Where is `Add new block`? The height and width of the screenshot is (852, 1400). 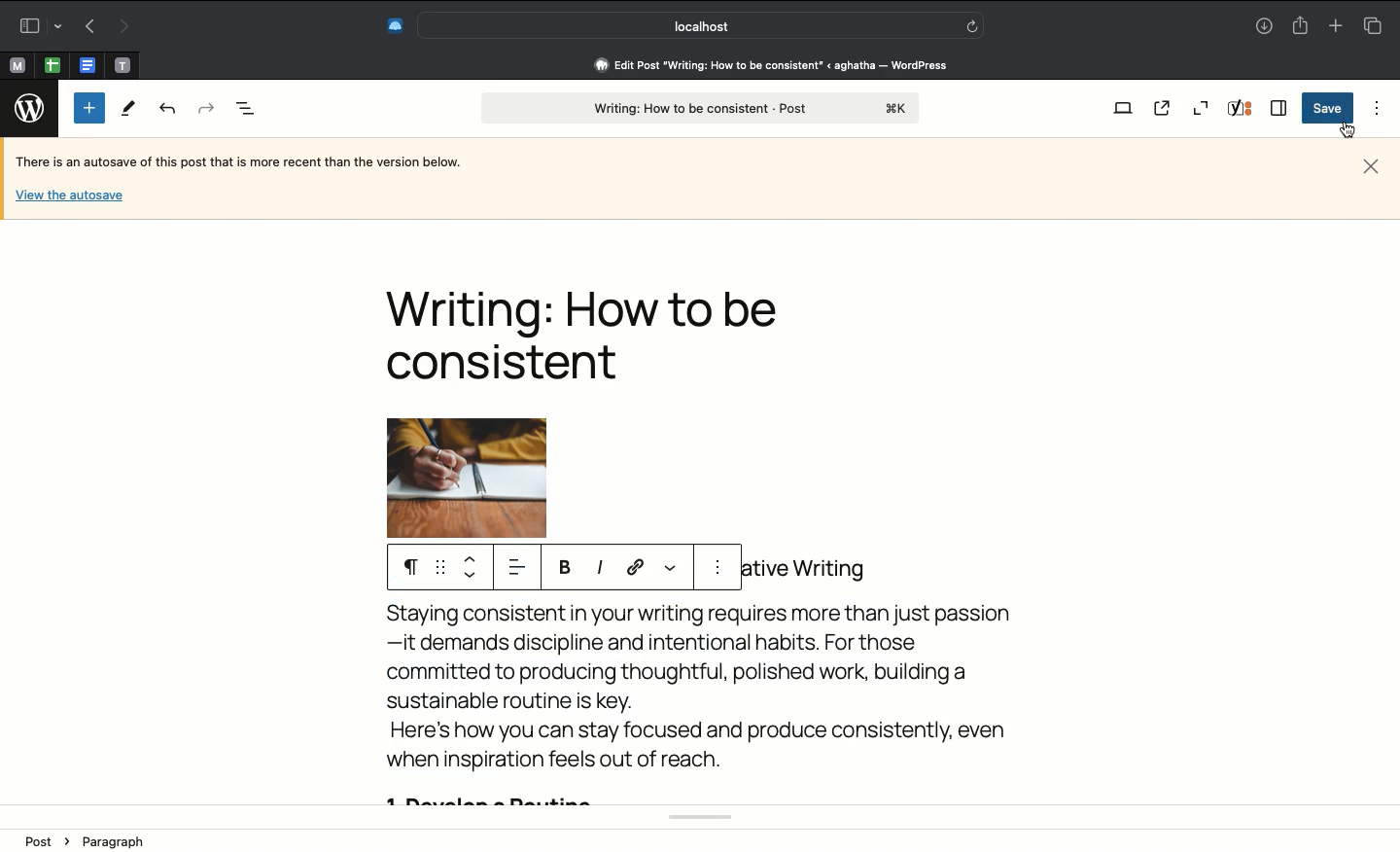
Add new block is located at coordinates (89, 108).